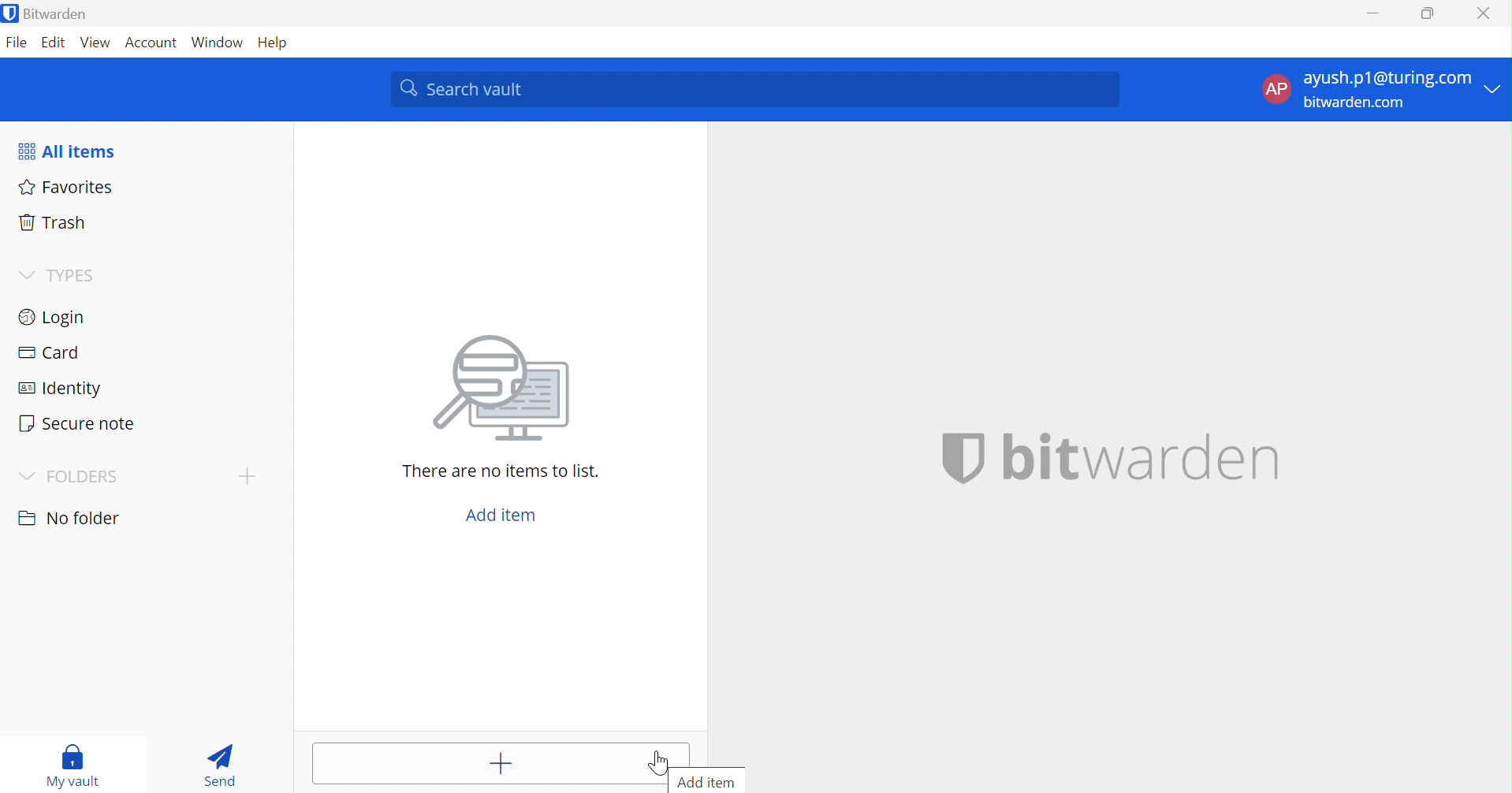 This screenshot has width=1512, height=793. I want to click on Drop Down, so click(246, 476).